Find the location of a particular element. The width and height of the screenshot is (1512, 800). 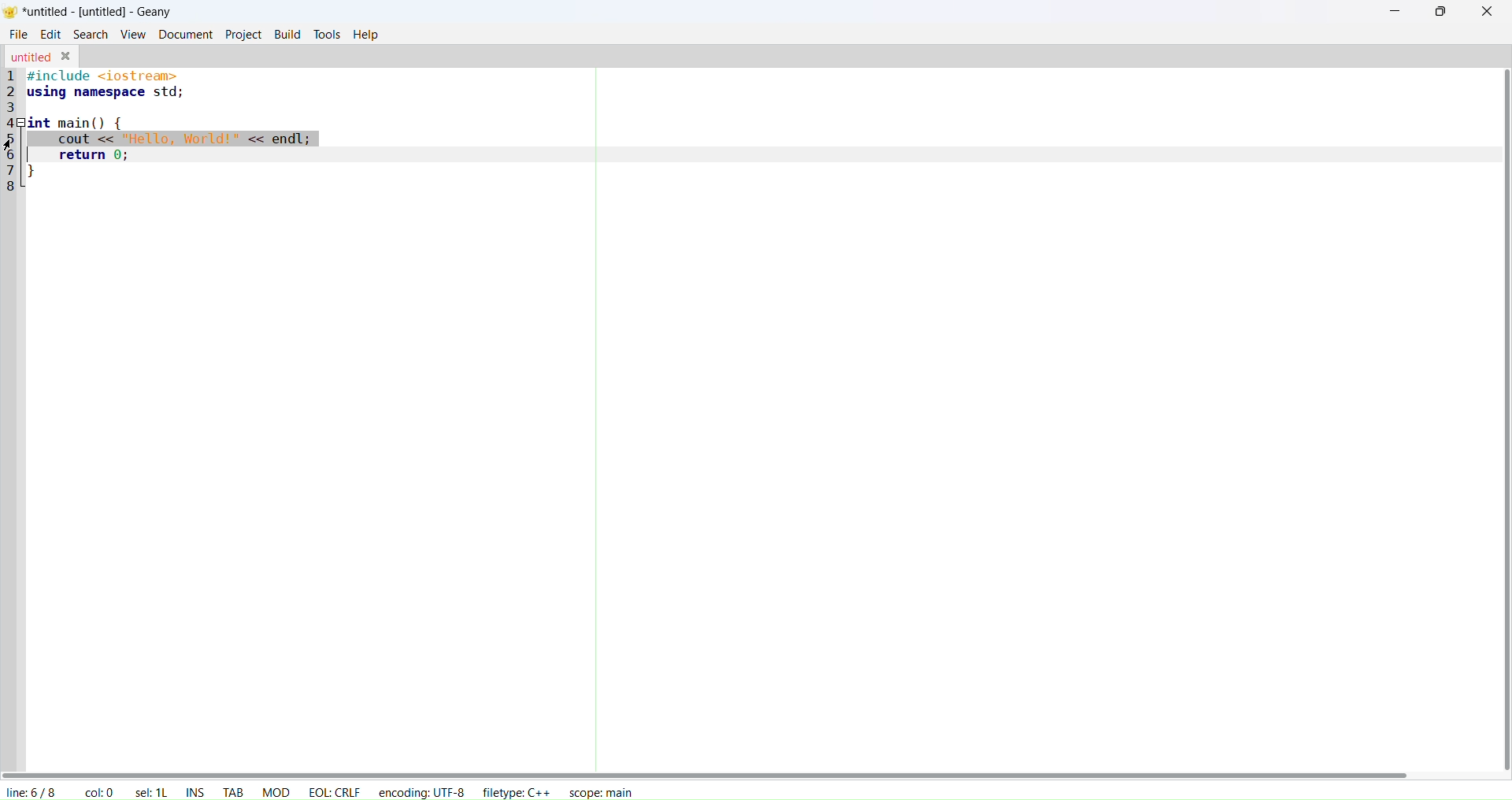

view is located at coordinates (135, 34).